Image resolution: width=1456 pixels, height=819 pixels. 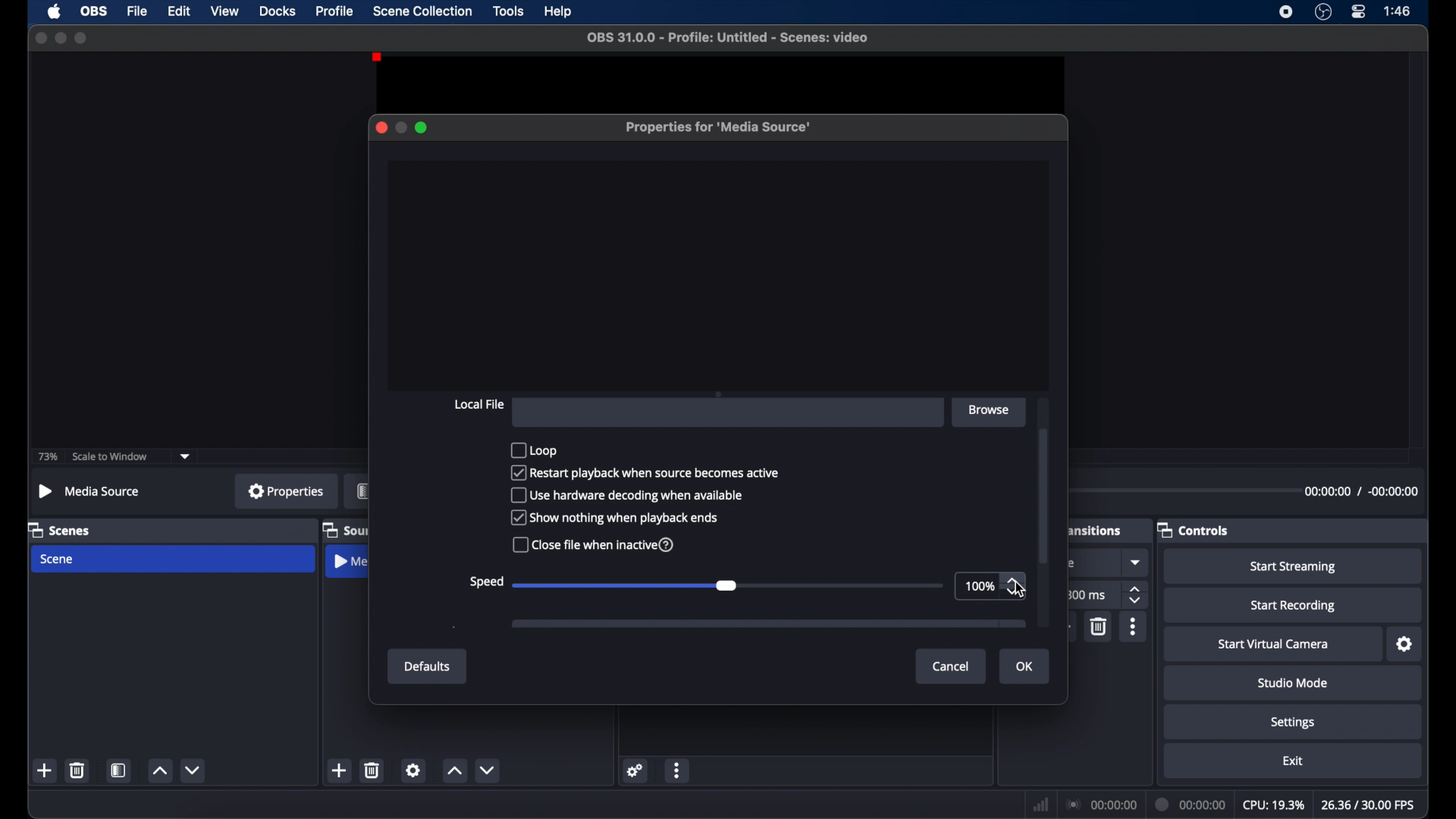 I want to click on slider, so click(x=727, y=584).